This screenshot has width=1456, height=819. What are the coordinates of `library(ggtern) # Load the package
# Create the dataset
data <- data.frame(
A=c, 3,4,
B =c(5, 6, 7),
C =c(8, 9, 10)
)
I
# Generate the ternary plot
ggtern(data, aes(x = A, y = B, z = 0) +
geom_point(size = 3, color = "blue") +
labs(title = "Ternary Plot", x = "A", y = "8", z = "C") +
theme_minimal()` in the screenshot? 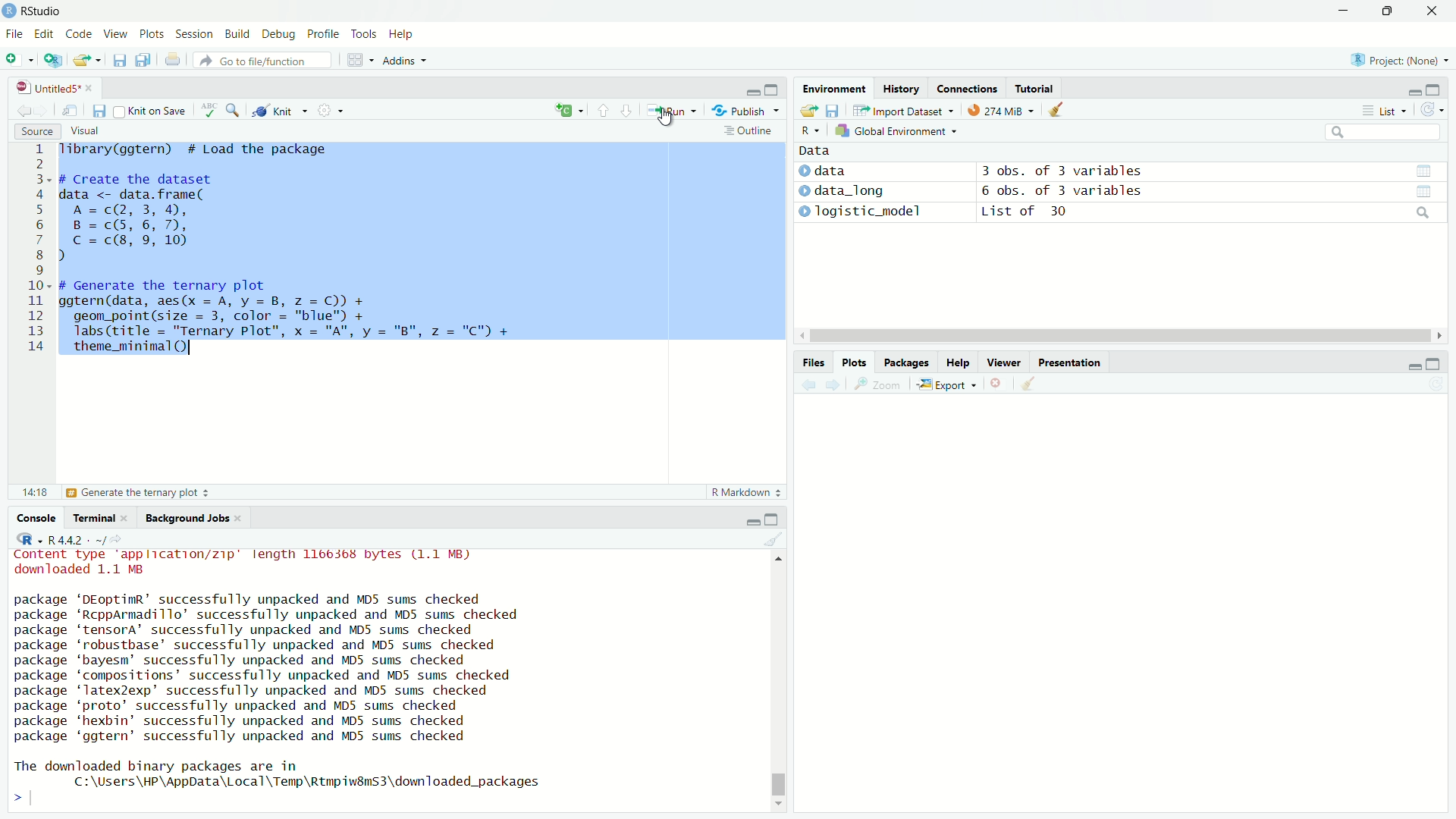 It's located at (299, 256).